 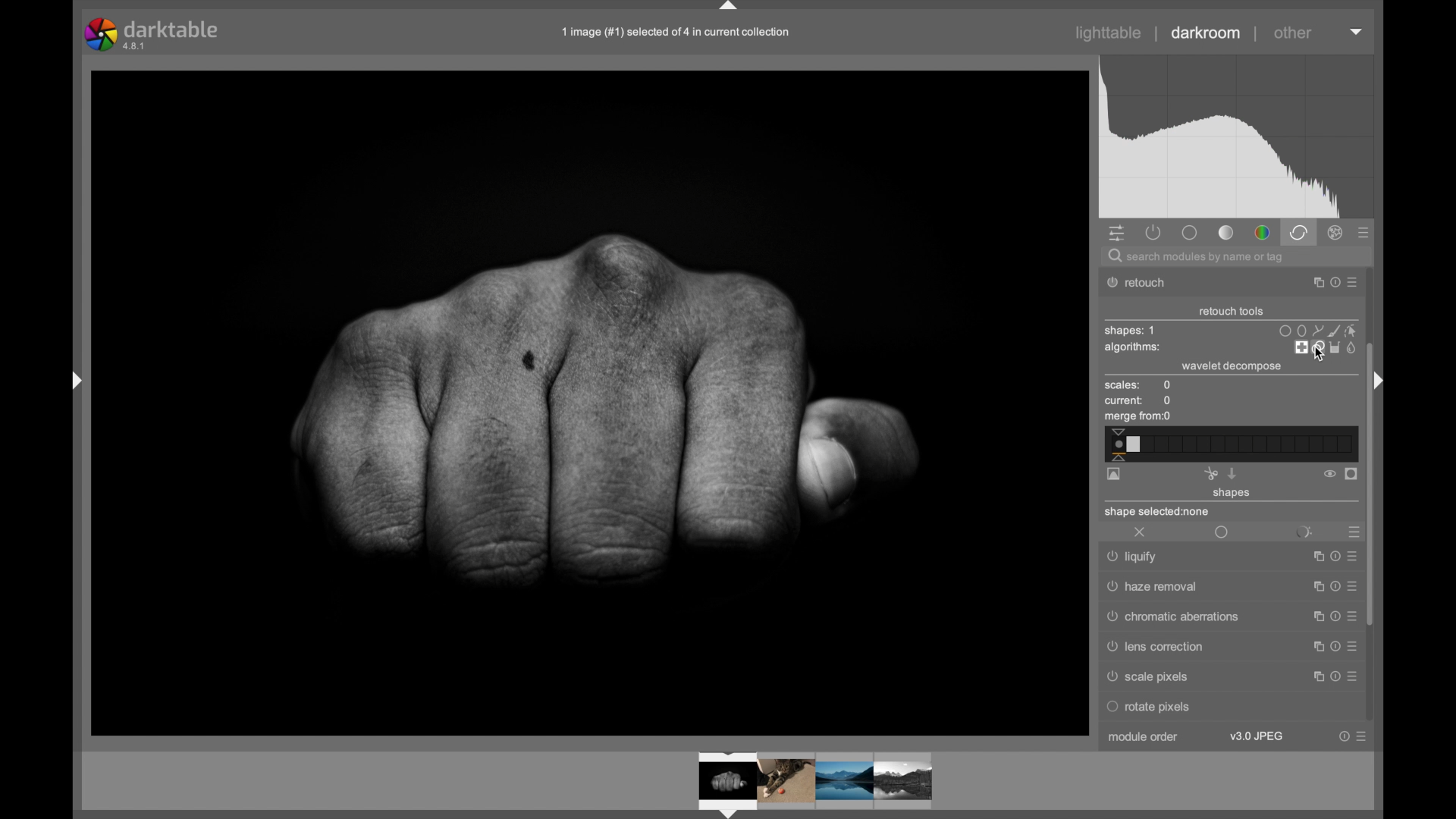 What do you see at coordinates (1332, 587) in the screenshot?
I see `help` at bounding box center [1332, 587].